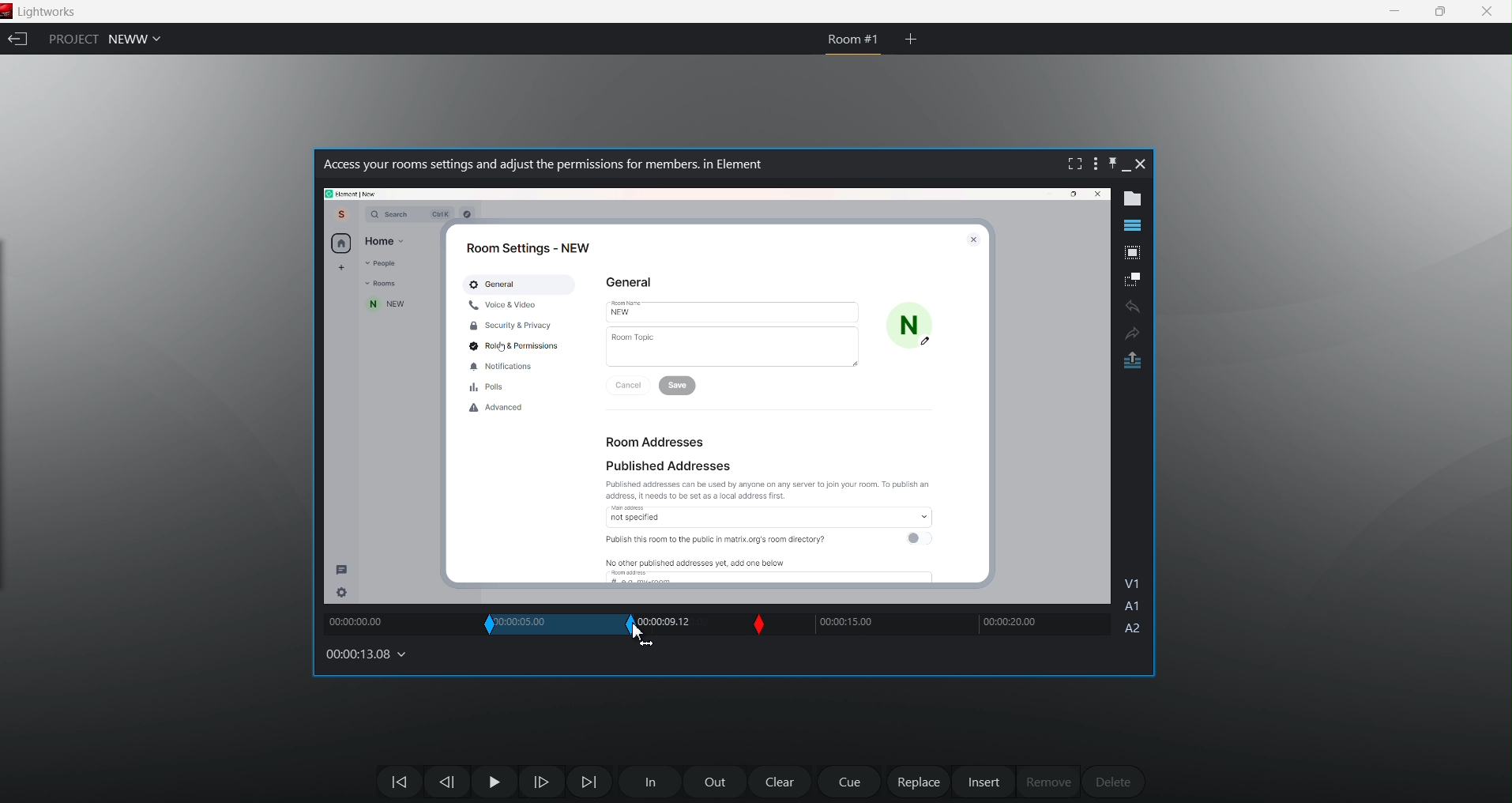  Describe the element at coordinates (908, 324) in the screenshot. I see `N` at that location.